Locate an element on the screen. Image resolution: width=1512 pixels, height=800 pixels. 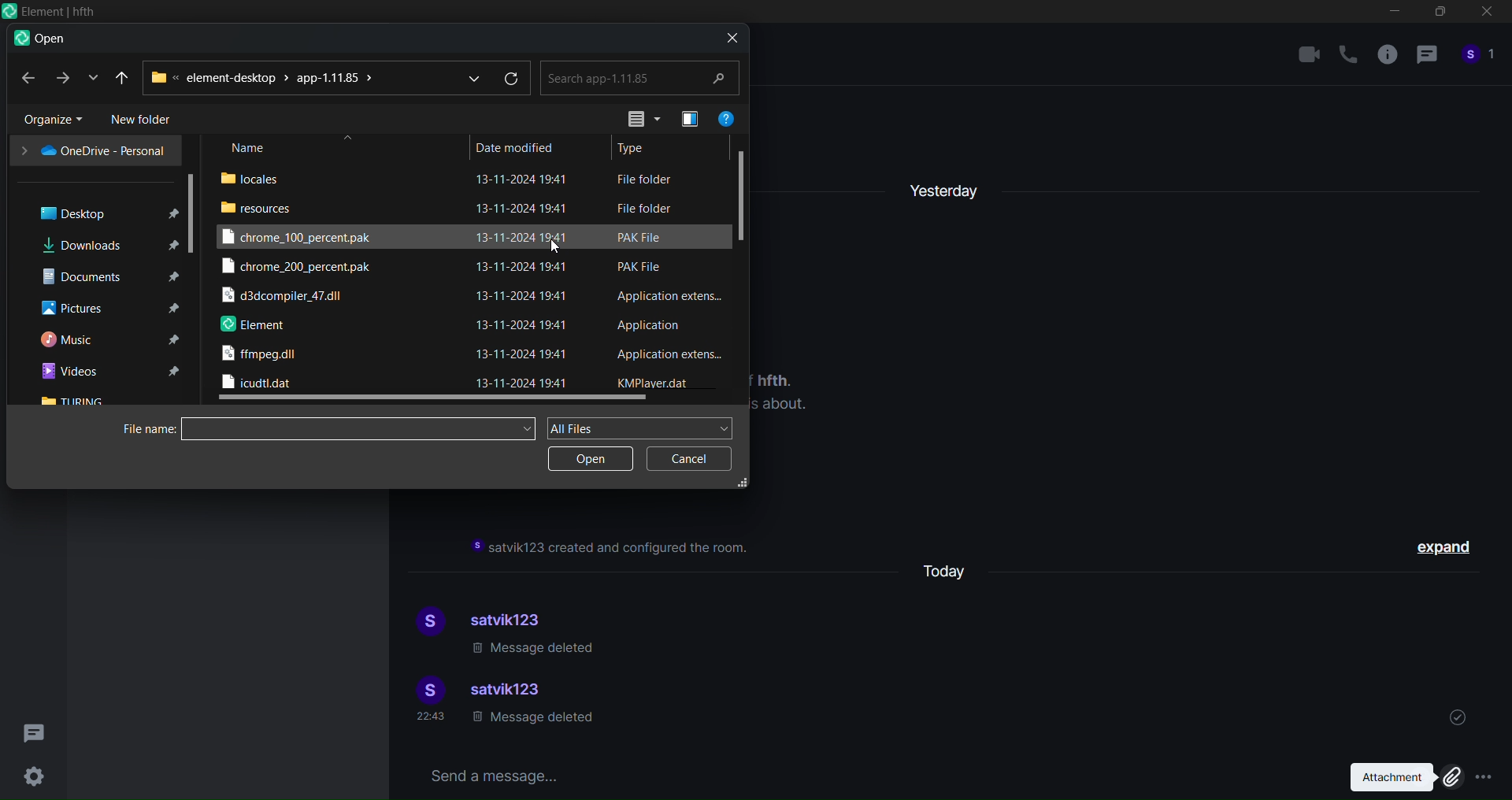
sent is located at coordinates (1458, 715).